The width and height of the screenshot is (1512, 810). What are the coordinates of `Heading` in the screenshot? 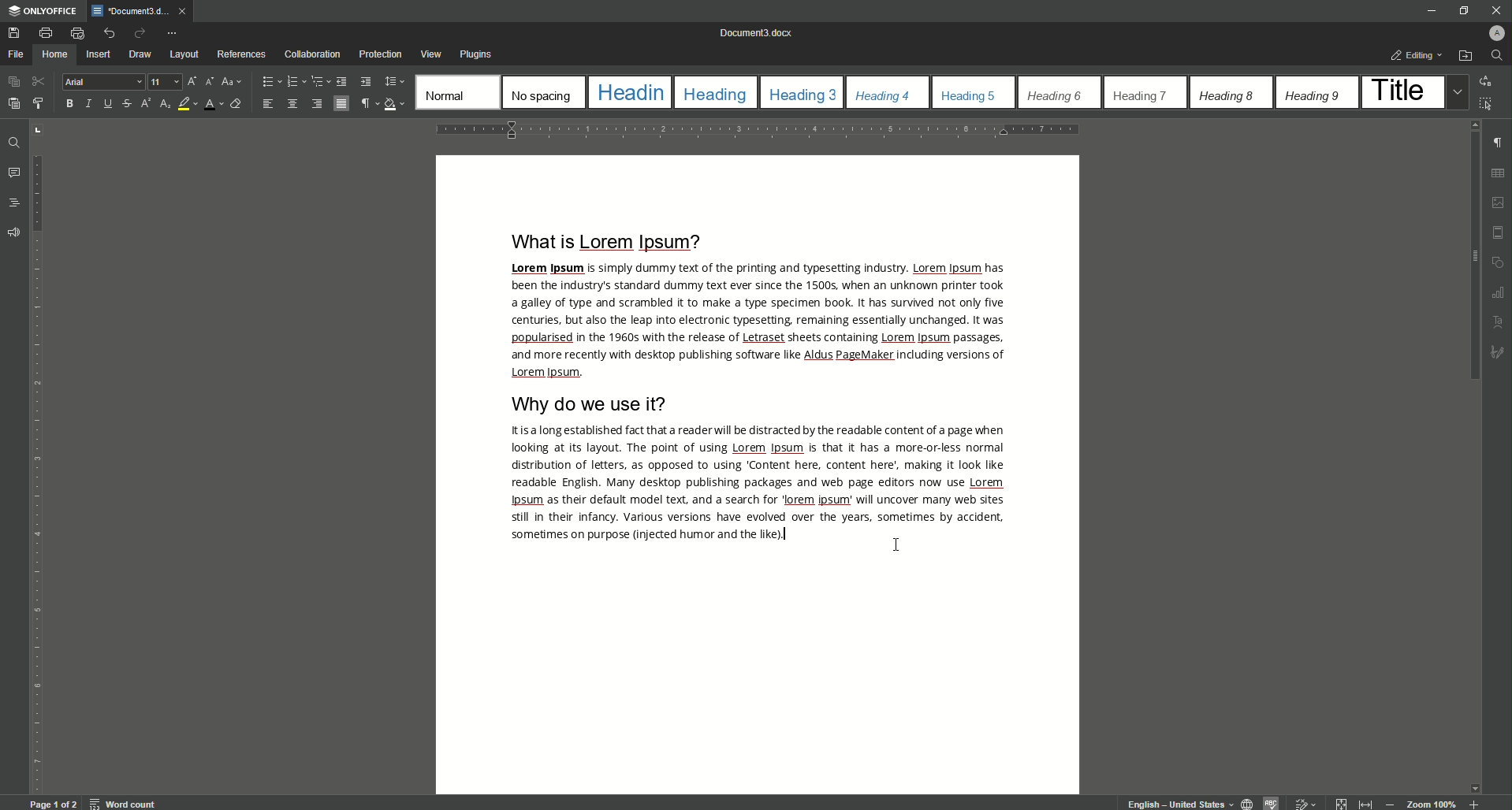 It's located at (631, 93).